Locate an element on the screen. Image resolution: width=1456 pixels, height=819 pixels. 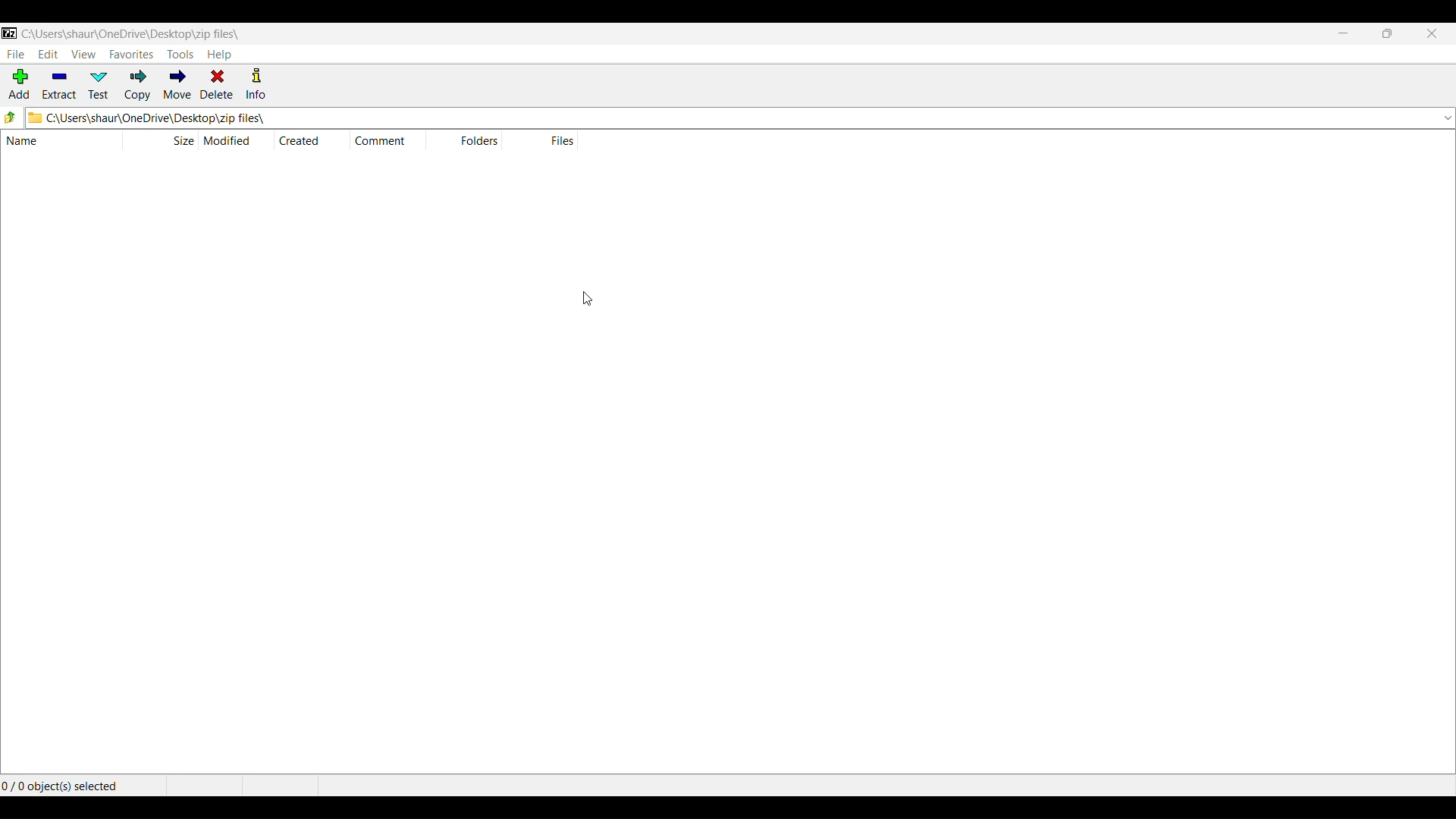
FAVORITES is located at coordinates (130, 53).